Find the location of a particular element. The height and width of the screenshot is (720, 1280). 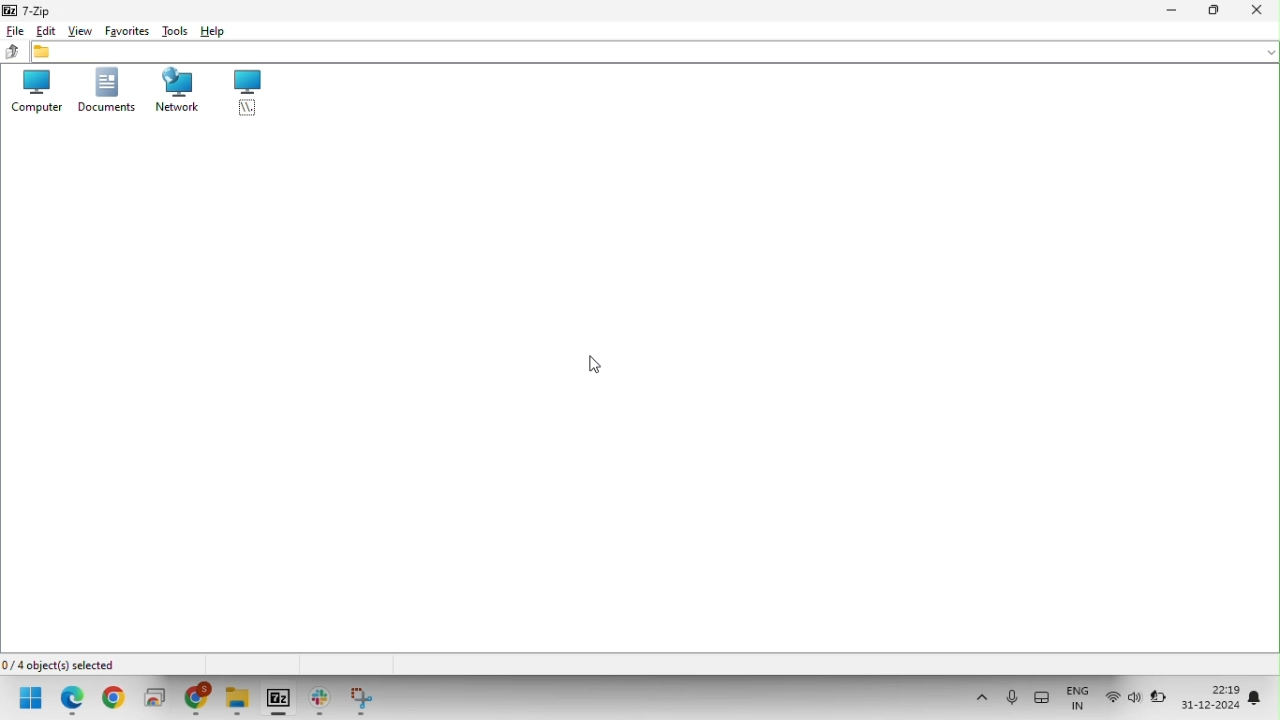

file explorer is located at coordinates (239, 700).